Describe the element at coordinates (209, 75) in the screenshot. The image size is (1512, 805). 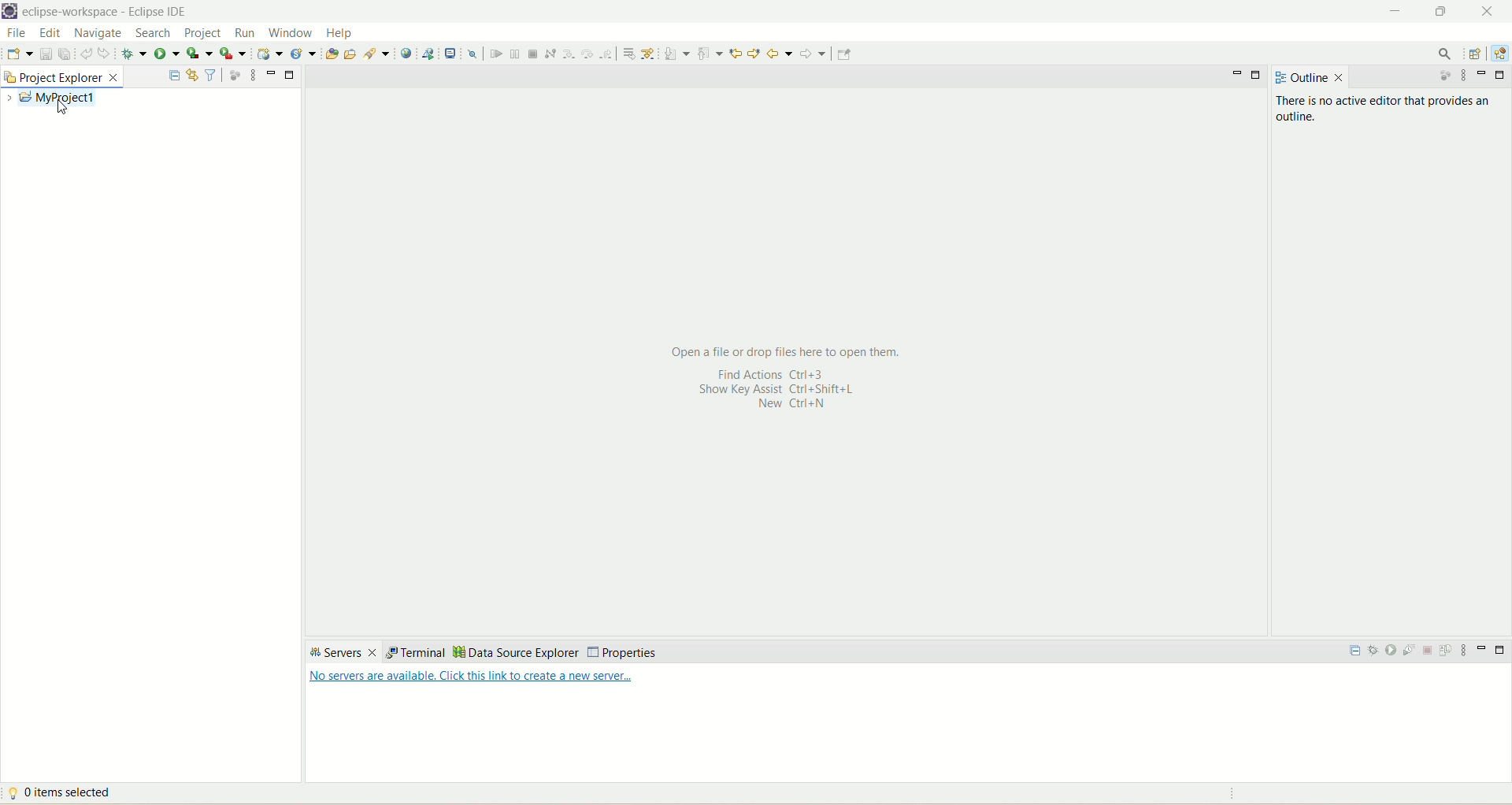
I see `filter` at that location.